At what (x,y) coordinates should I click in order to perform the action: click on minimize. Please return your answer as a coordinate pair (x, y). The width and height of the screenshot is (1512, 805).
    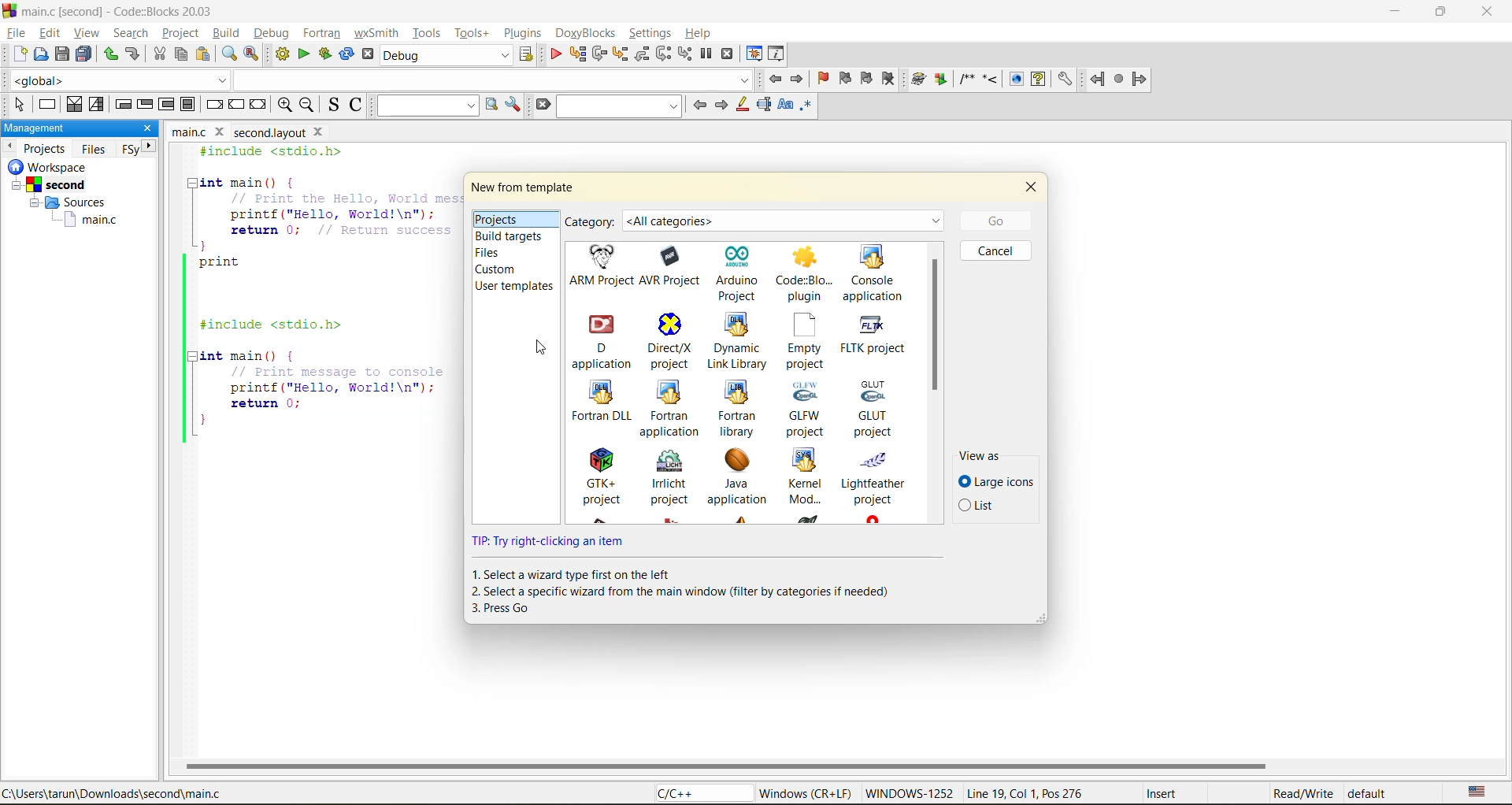
    Looking at the image, I should click on (1395, 12).